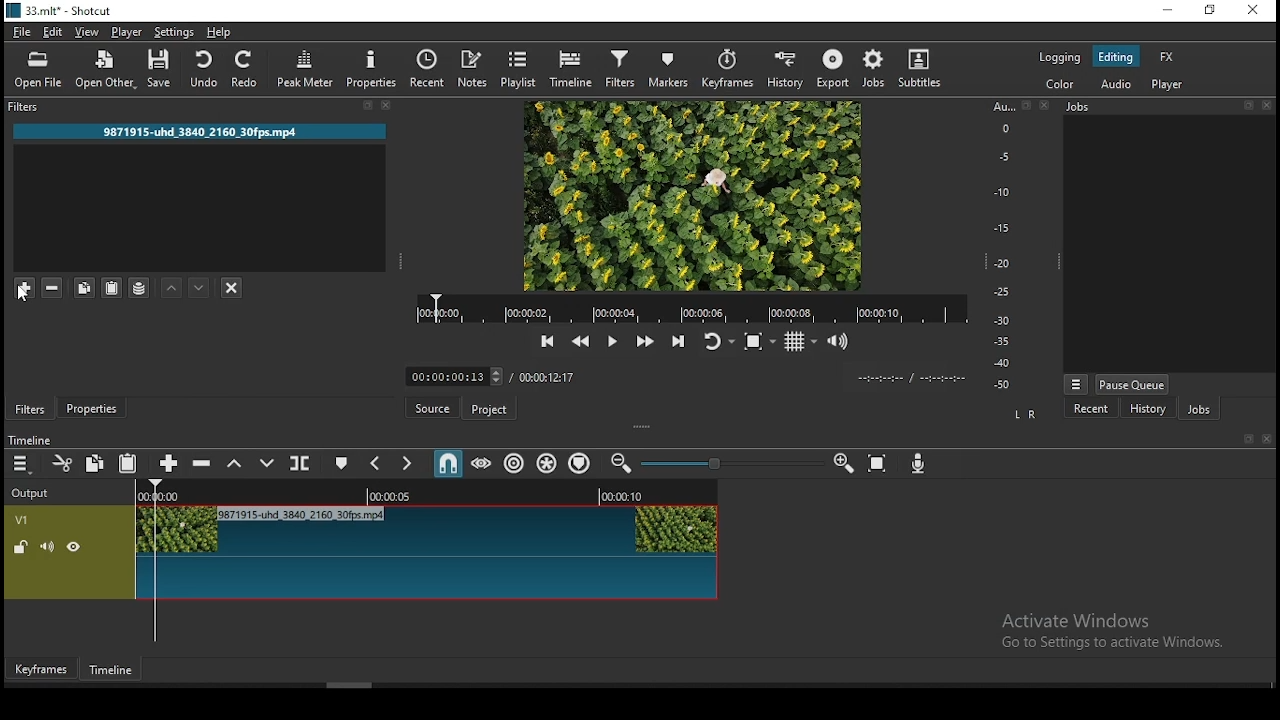  What do you see at coordinates (1247, 105) in the screenshot?
I see `resize` at bounding box center [1247, 105].